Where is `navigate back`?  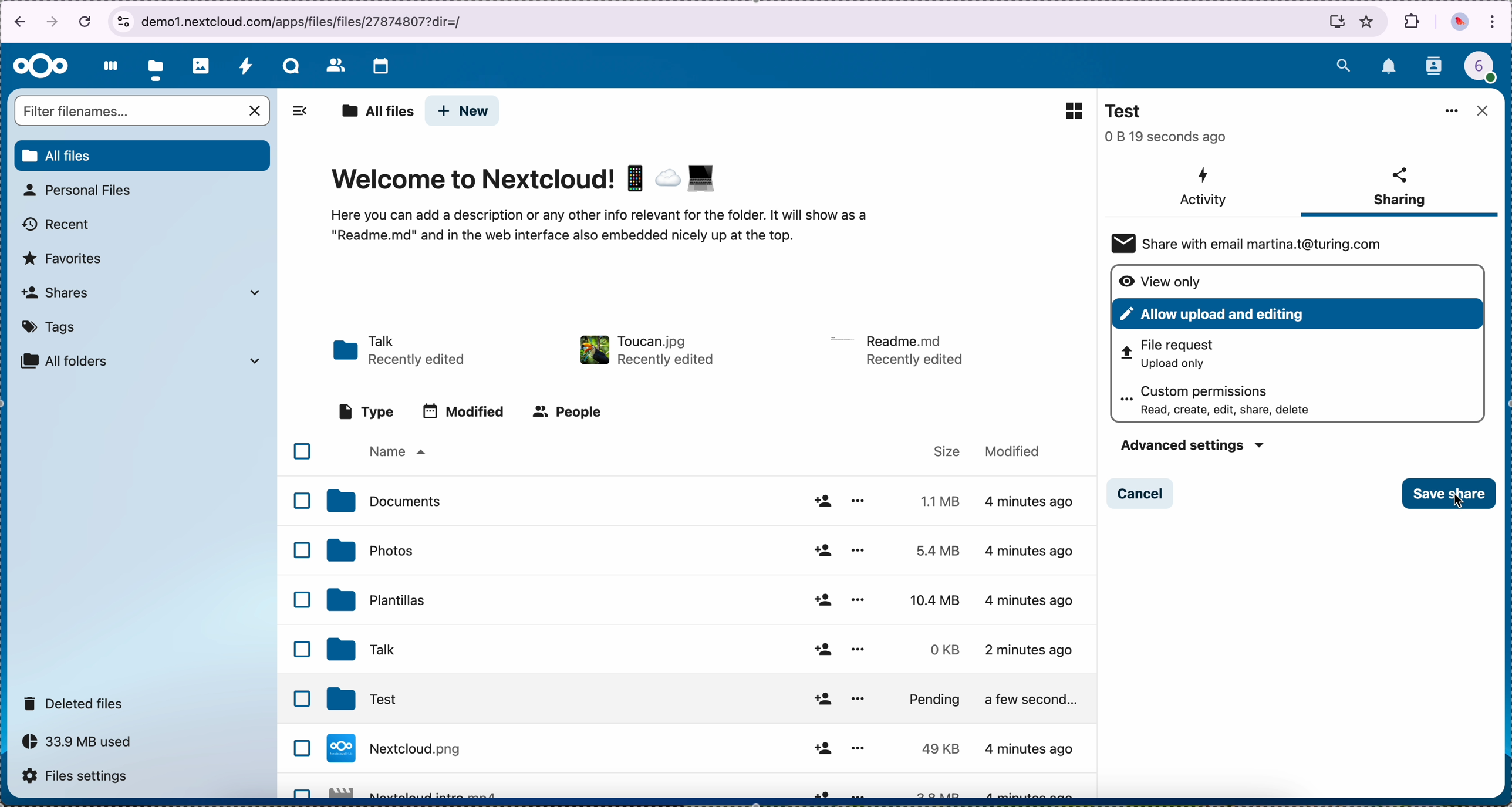 navigate back is located at coordinates (16, 24).